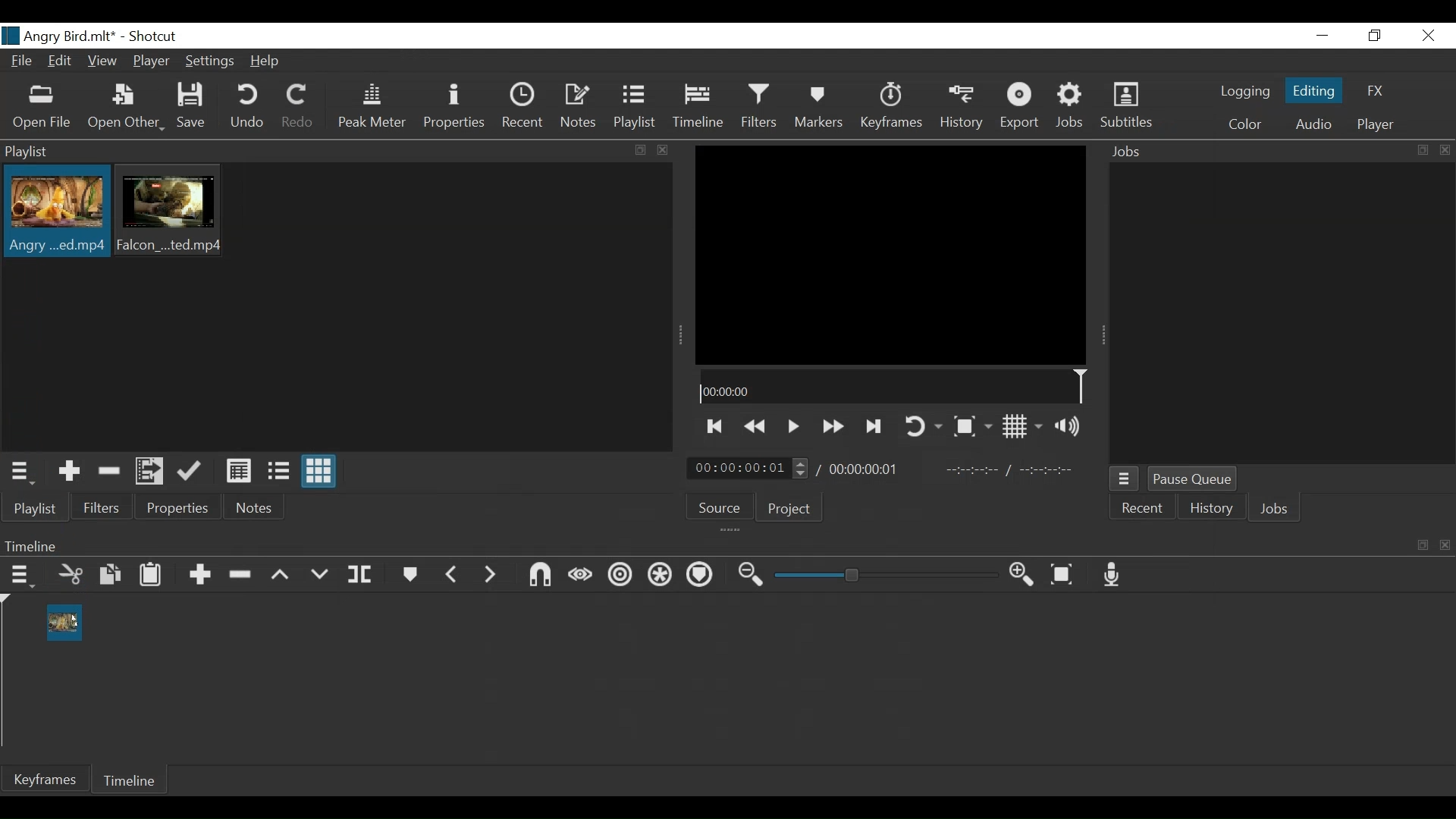 Image resolution: width=1456 pixels, height=819 pixels. What do you see at coordinates (1377, 125) in the screenshot?
I see `Player` at bounding box center [1377, 125].